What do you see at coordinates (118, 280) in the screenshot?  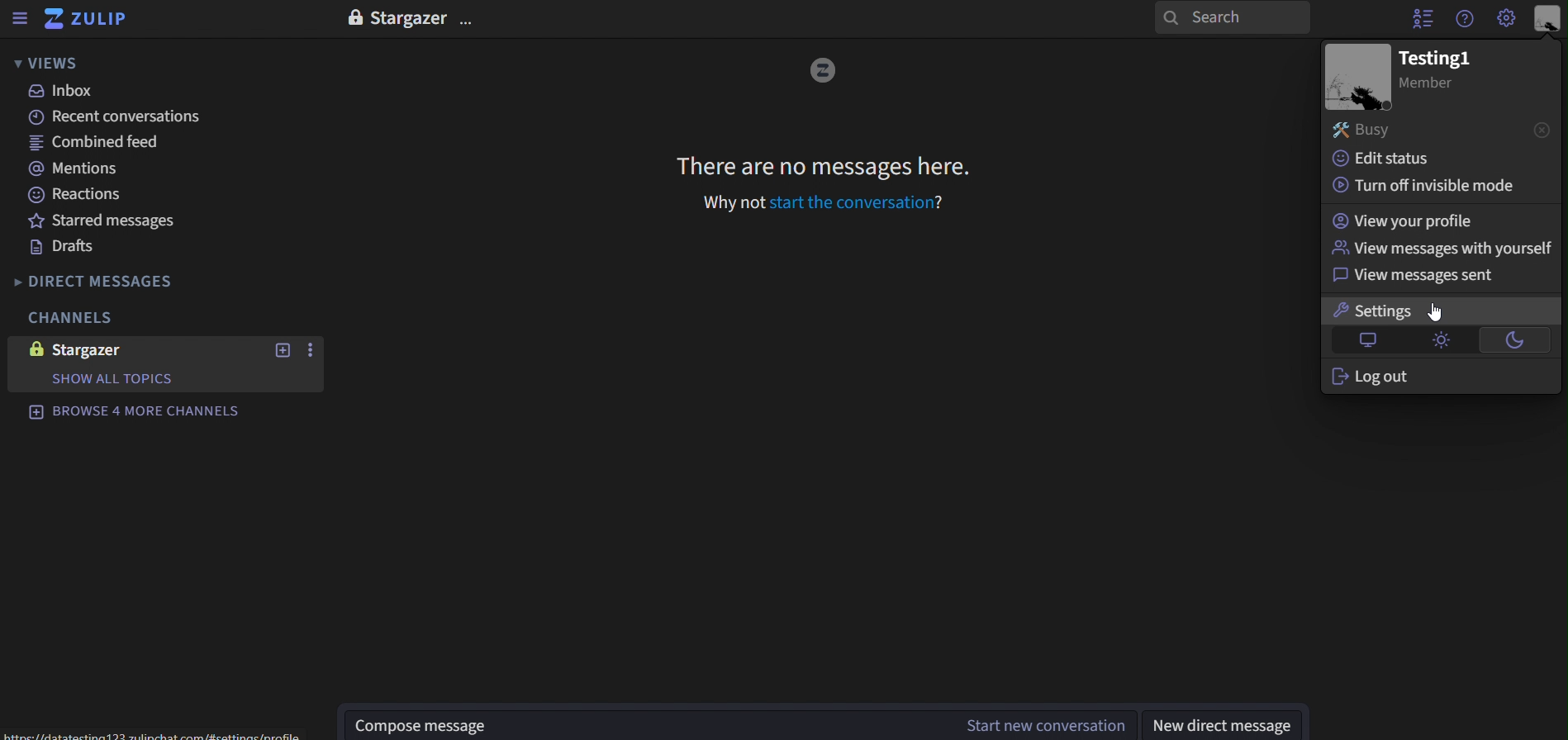 I see `direct messages` at bounding box center [118, 280].